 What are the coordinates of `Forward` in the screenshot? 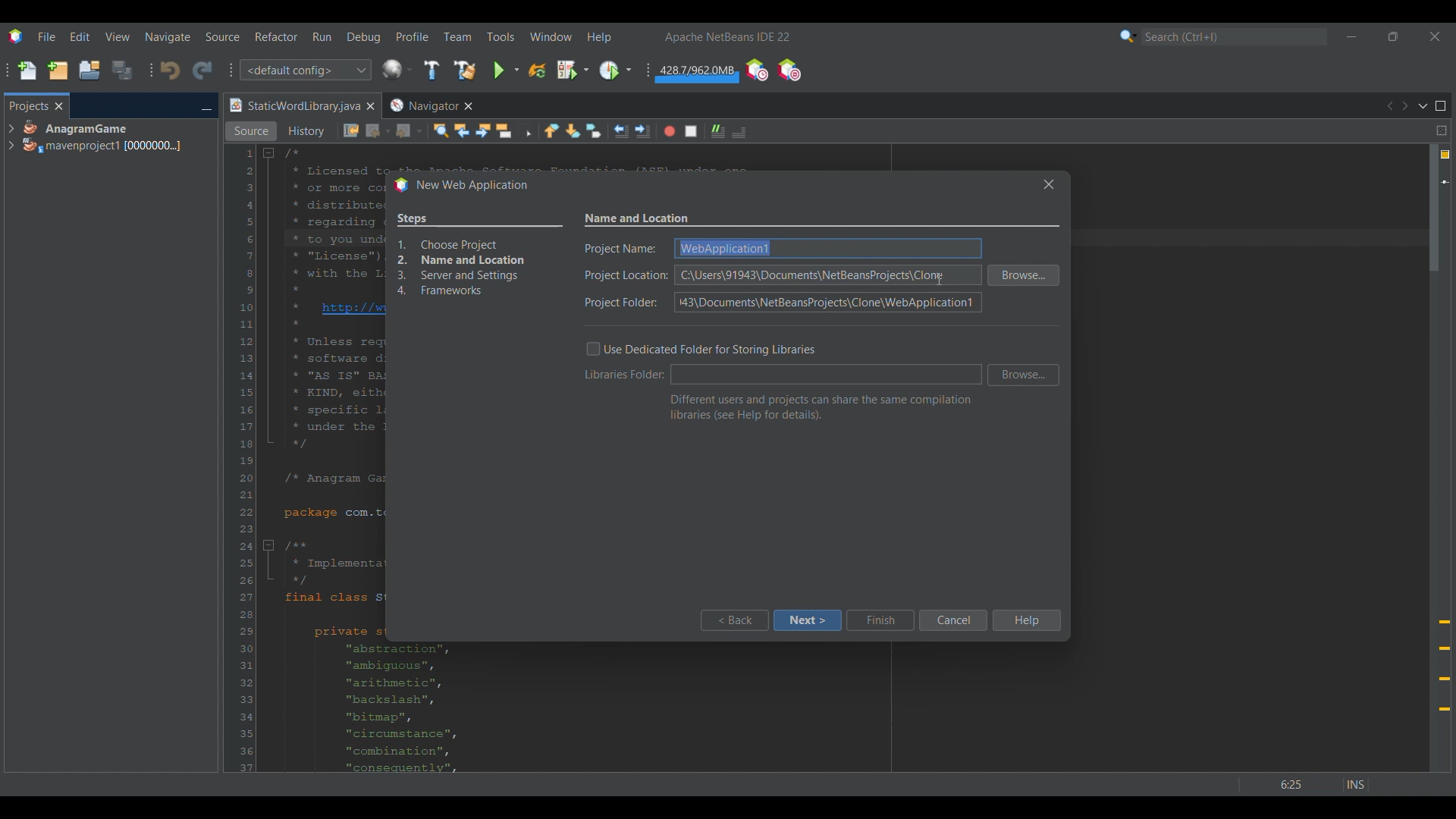 It's located at (409, 131).